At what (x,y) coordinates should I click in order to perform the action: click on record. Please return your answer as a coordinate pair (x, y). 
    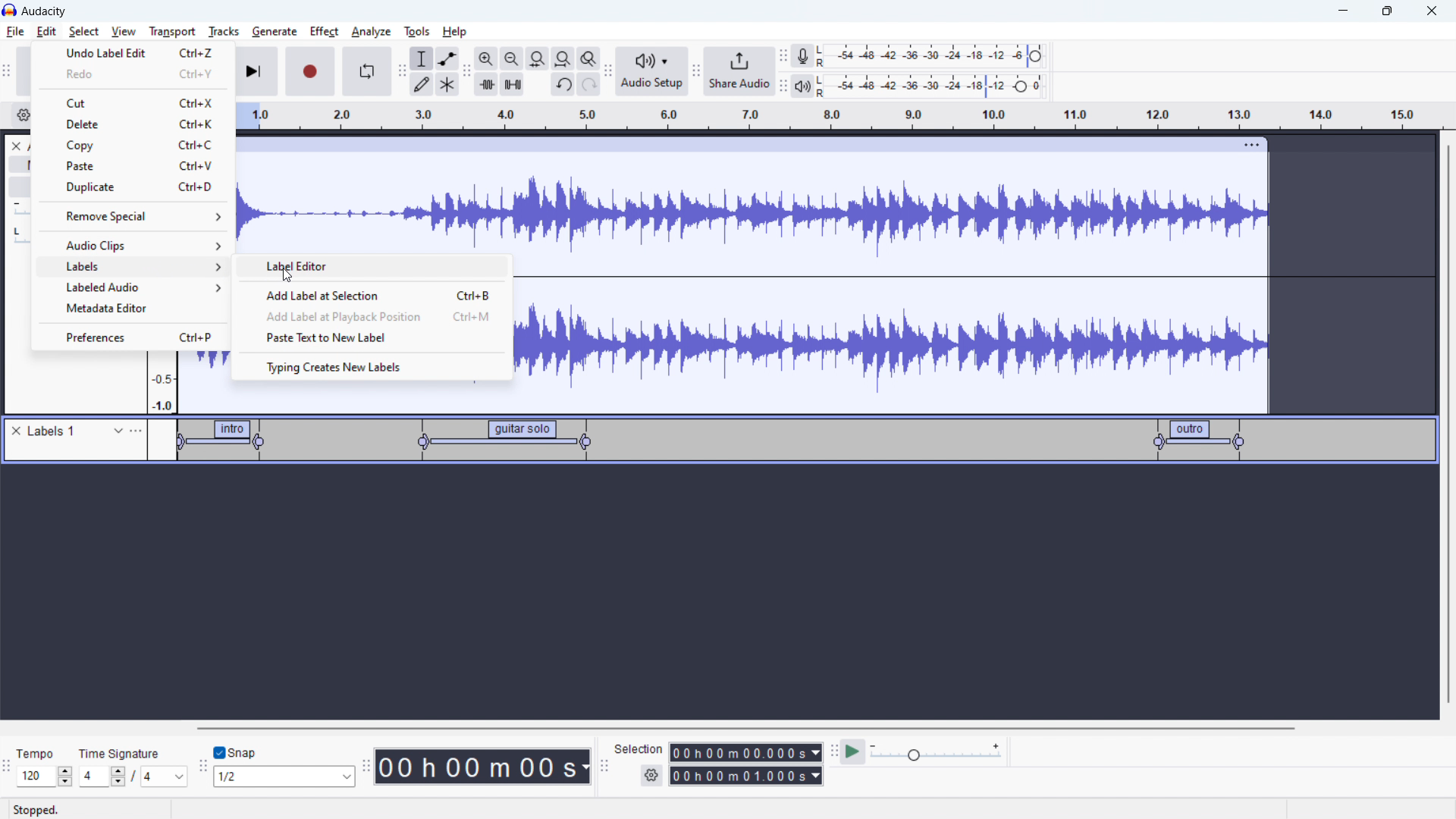
    Looking at the image, I should click on (311, 71).